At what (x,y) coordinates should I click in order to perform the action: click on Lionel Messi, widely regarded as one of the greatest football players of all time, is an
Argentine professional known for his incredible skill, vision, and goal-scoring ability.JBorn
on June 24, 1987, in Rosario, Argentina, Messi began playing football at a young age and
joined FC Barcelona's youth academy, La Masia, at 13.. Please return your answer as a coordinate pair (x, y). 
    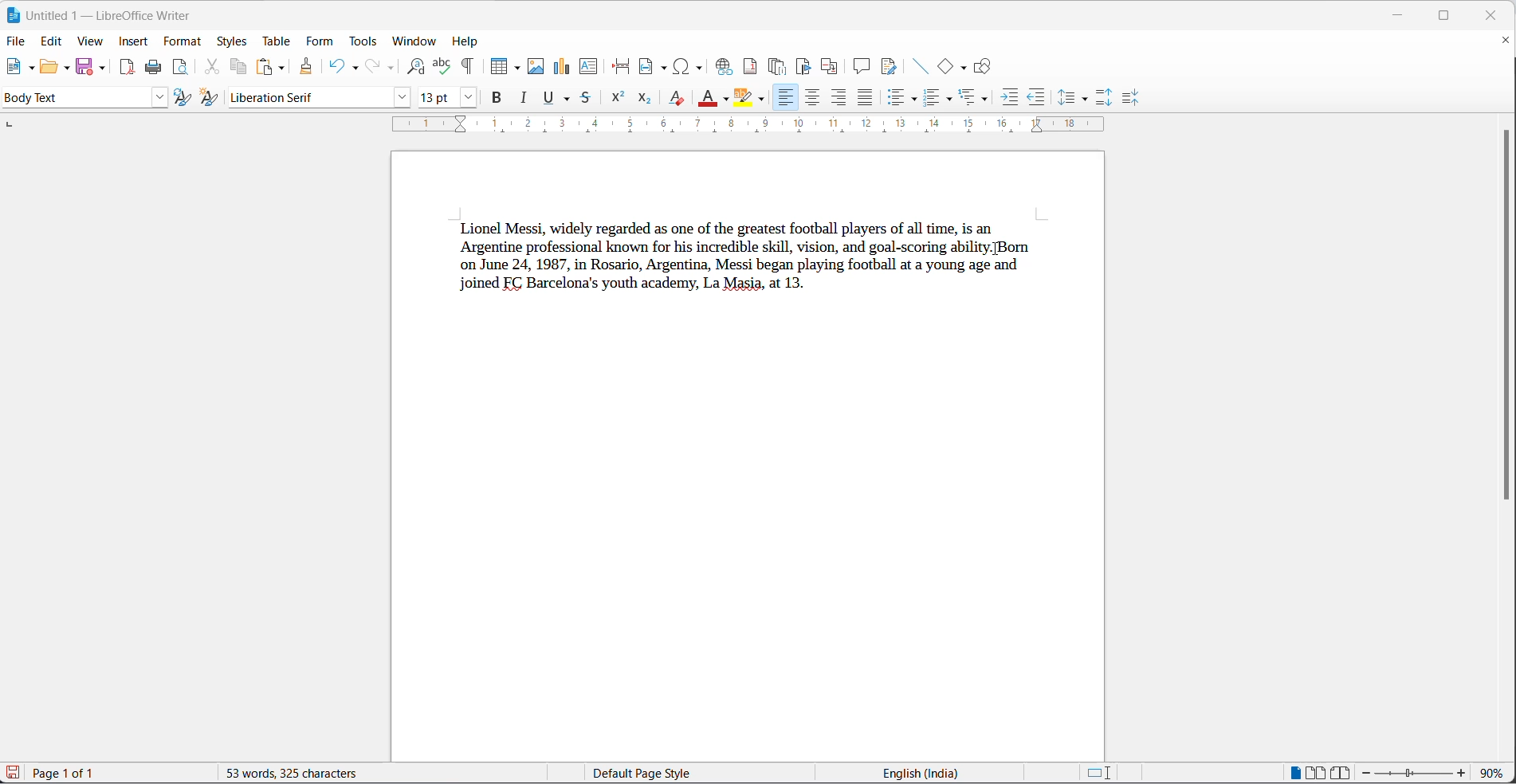
    Looking at the image, I should click on (740, 270).